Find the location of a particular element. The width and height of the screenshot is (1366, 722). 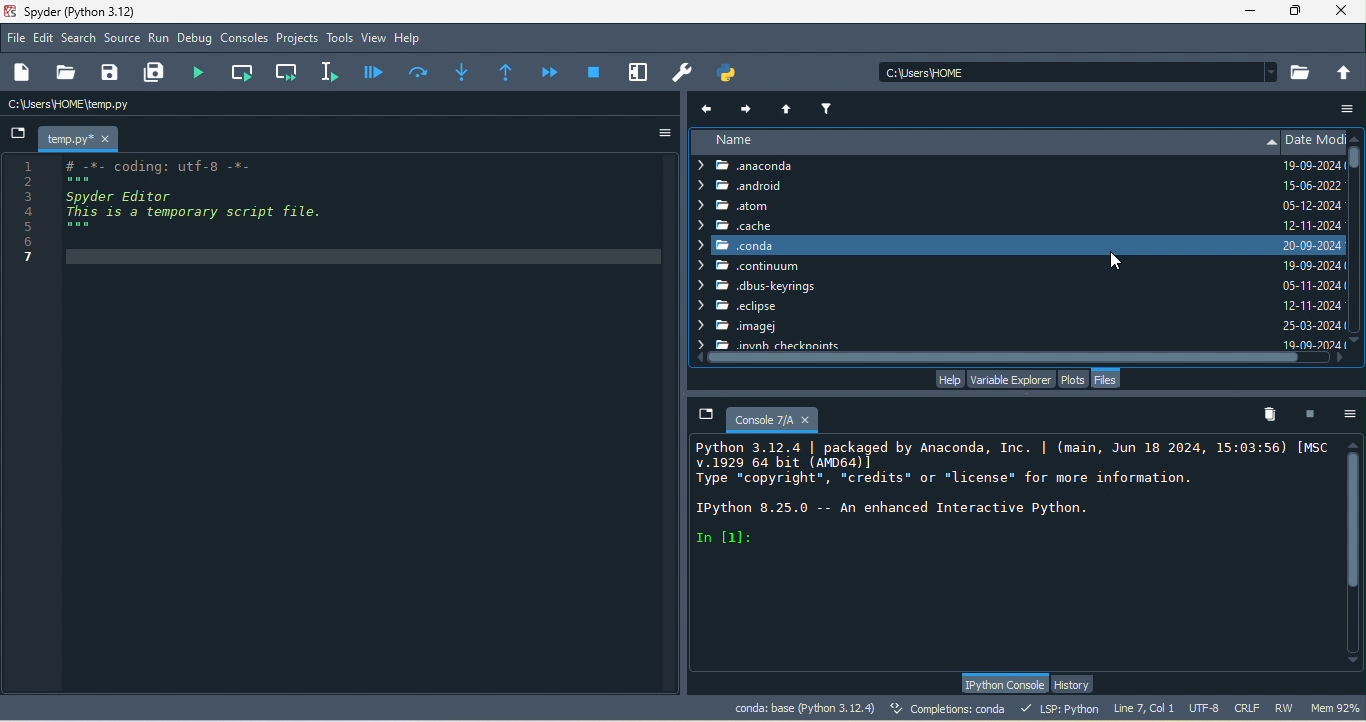

preferences is located at coordinates (684, 73).